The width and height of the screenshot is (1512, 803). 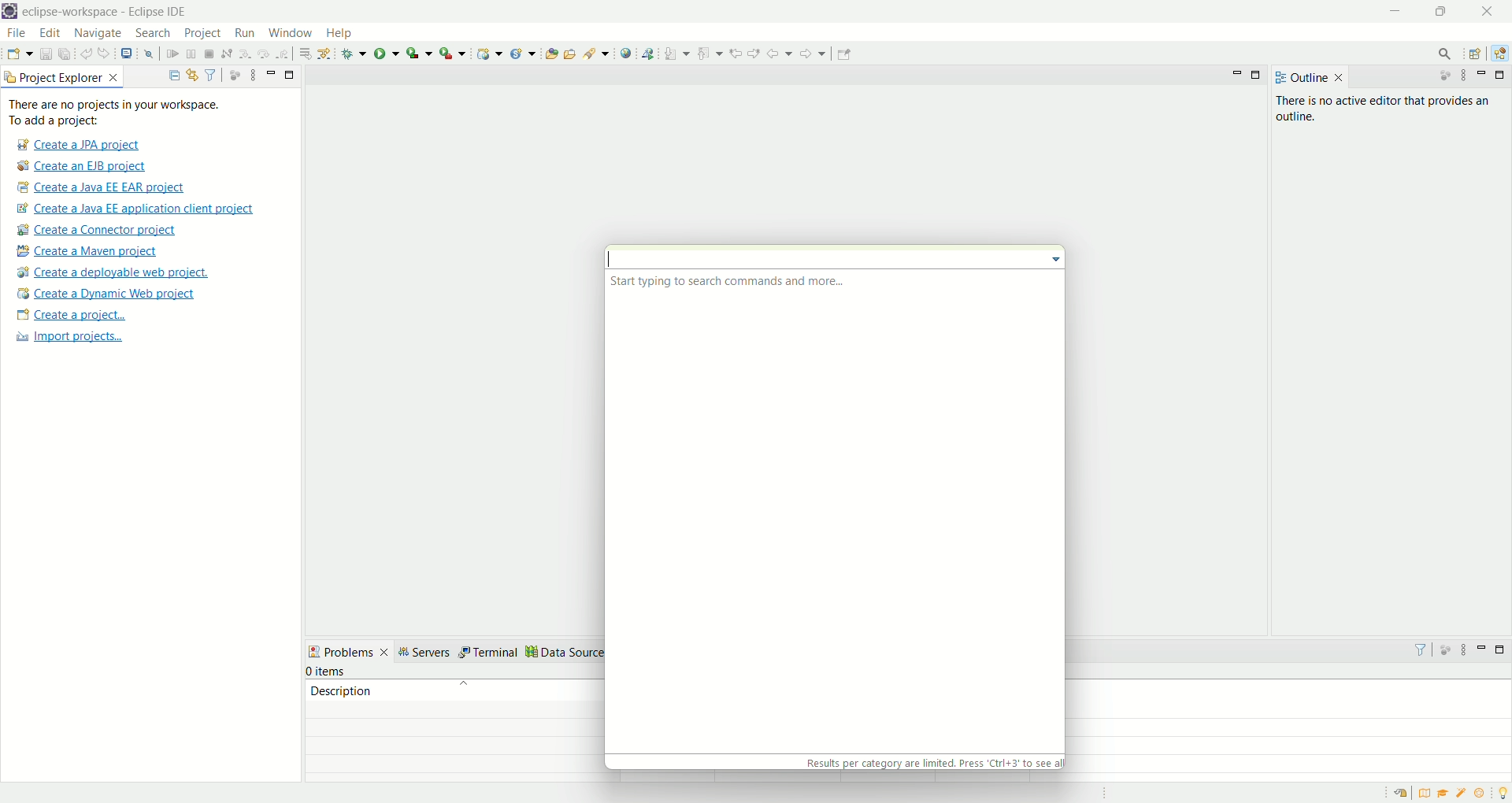 What do you see at coordinates (84, 168) in the screenshot?
I see `Create a EJB project` at bounding box center [84, 168].